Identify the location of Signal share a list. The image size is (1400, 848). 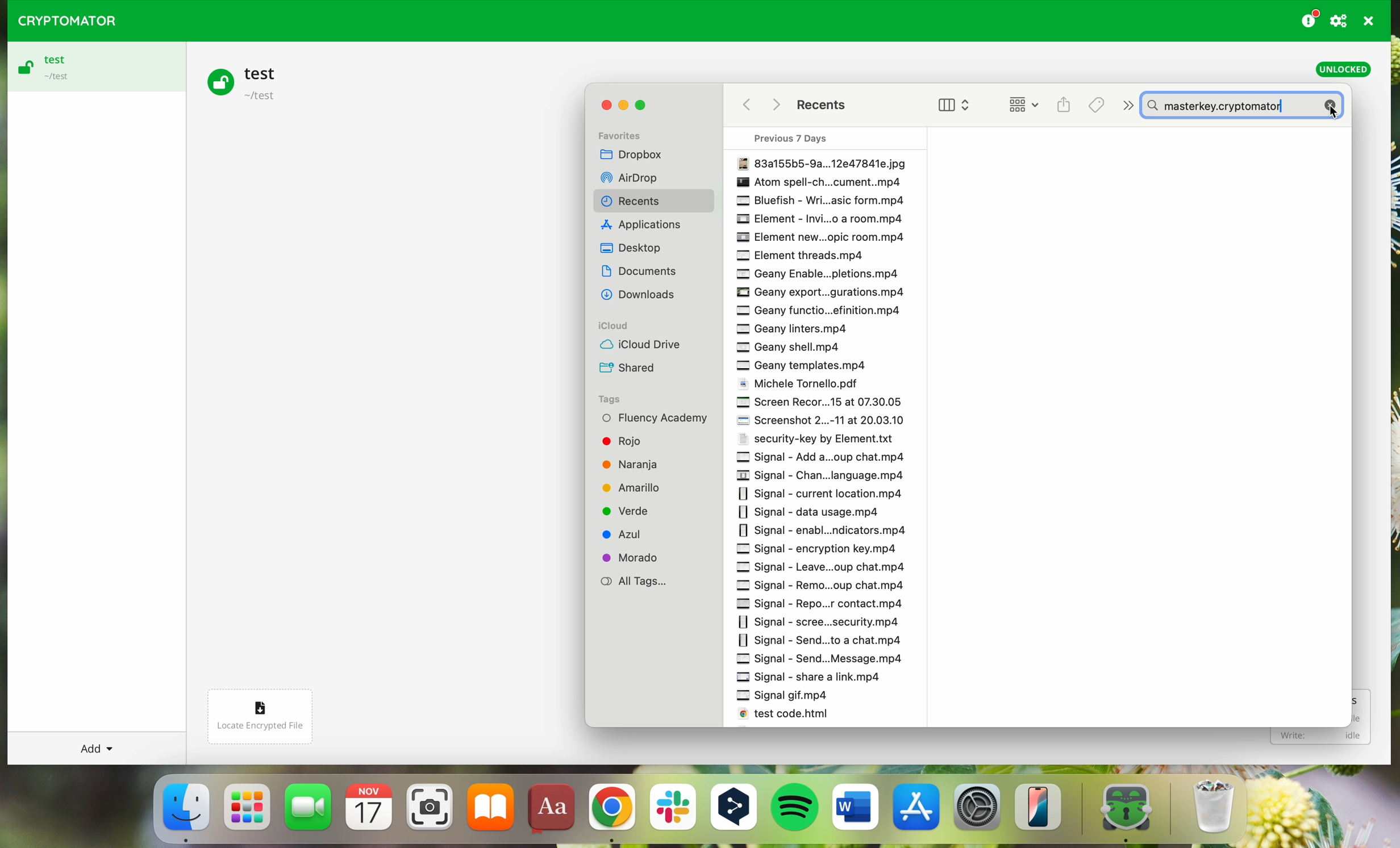
(816, 678).